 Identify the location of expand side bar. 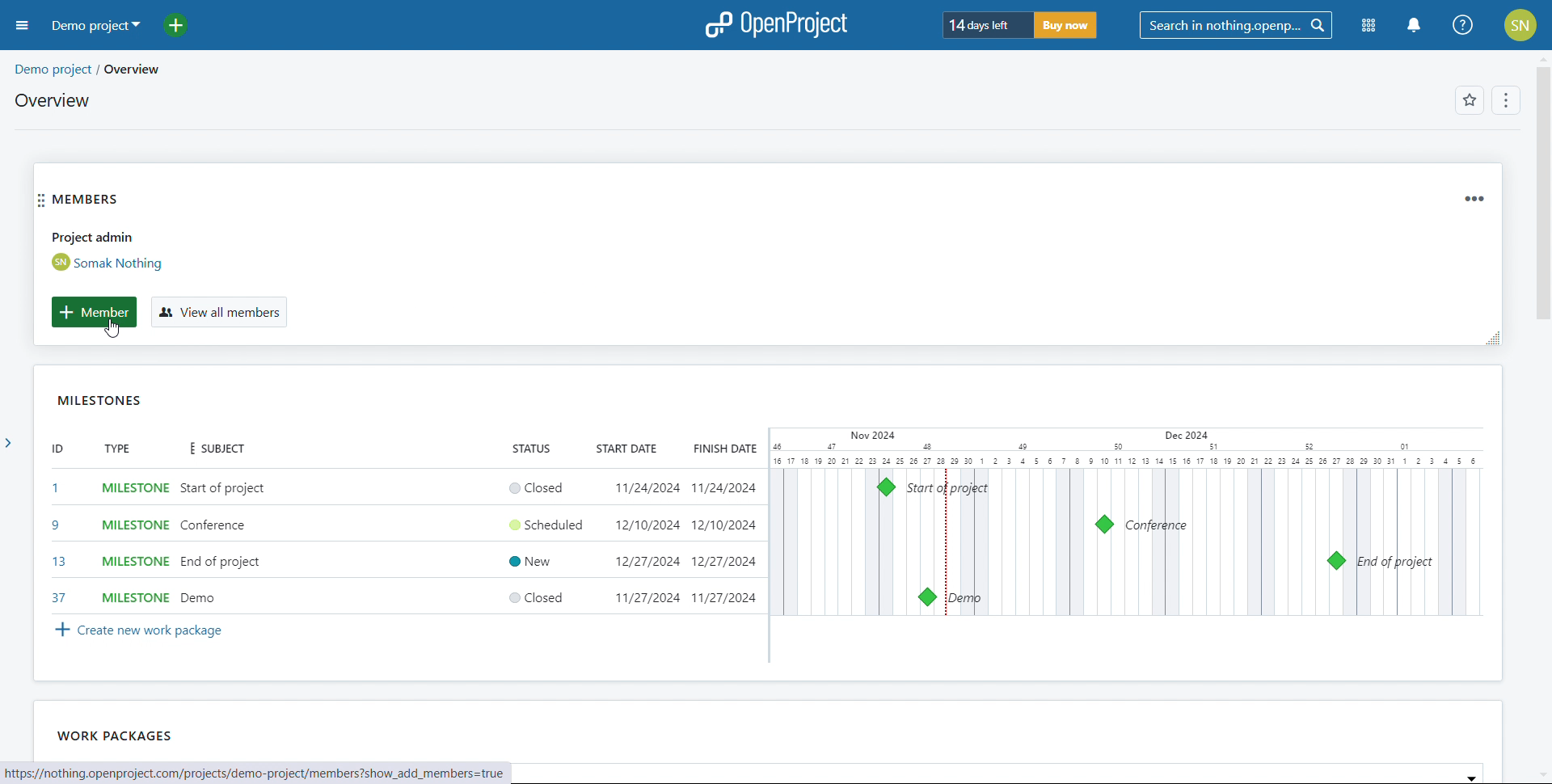
(14, 444).